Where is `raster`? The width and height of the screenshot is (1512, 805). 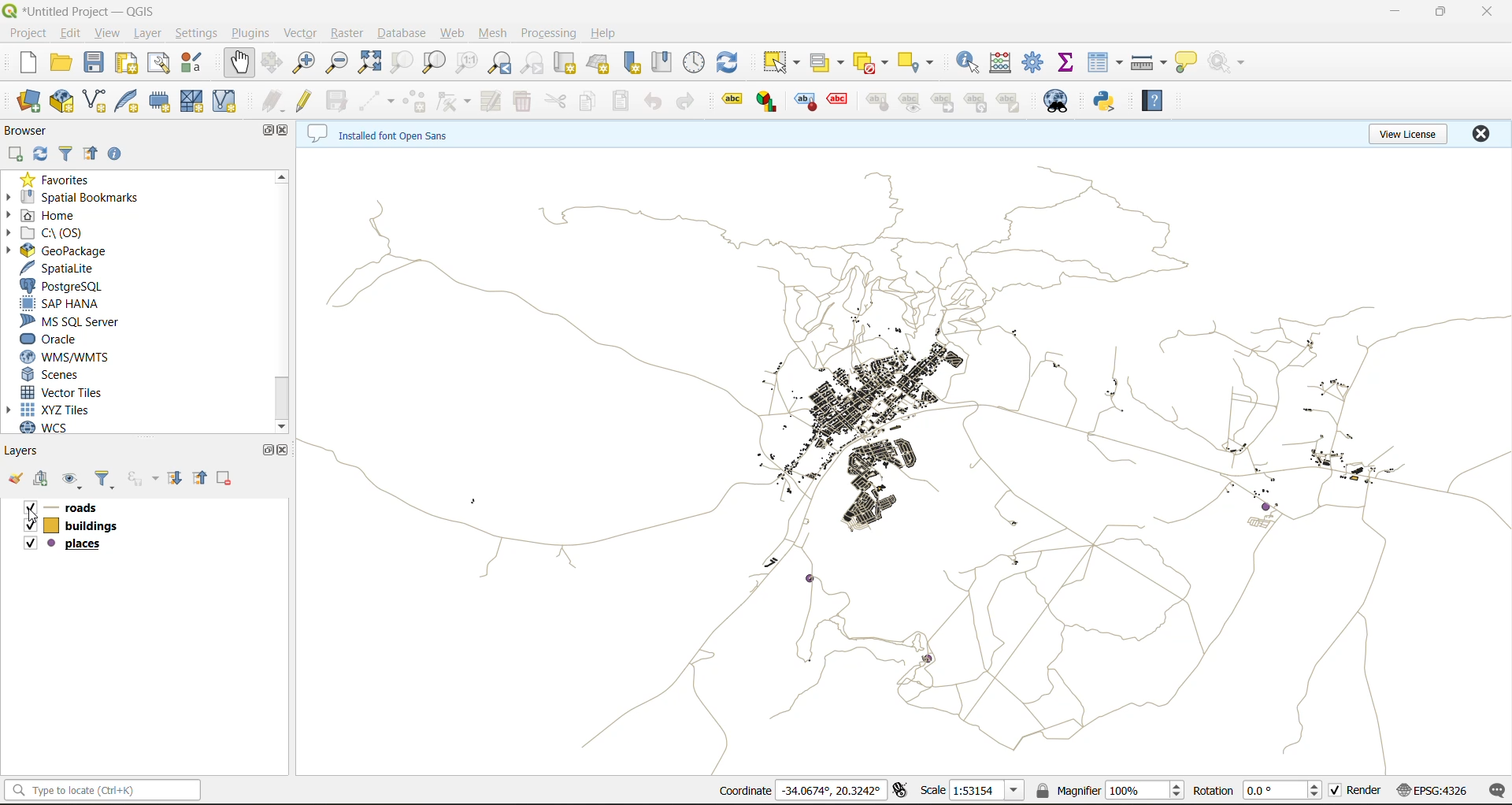
raster is located at coordinates (347, 35).